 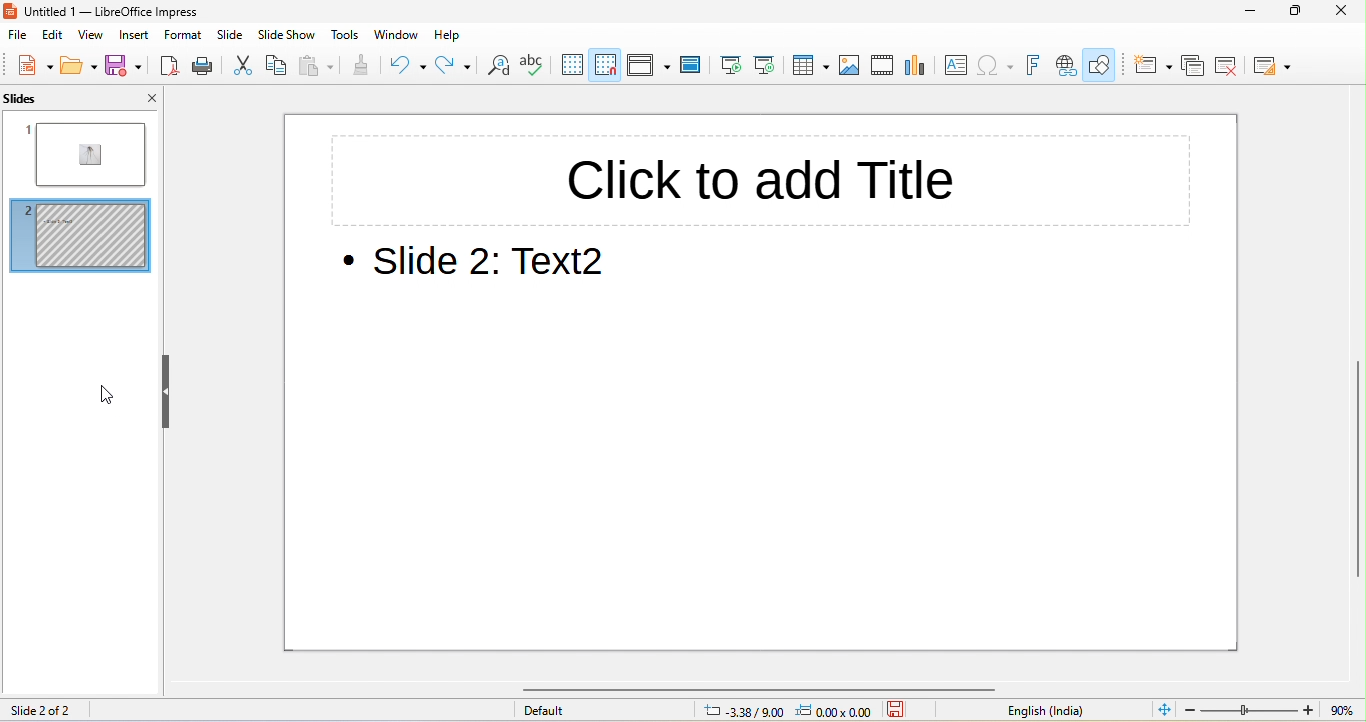 What do you see at coordinates (1105, 63) in the screenshot?
I see `show draw function` at bounding box center [1105, 63].